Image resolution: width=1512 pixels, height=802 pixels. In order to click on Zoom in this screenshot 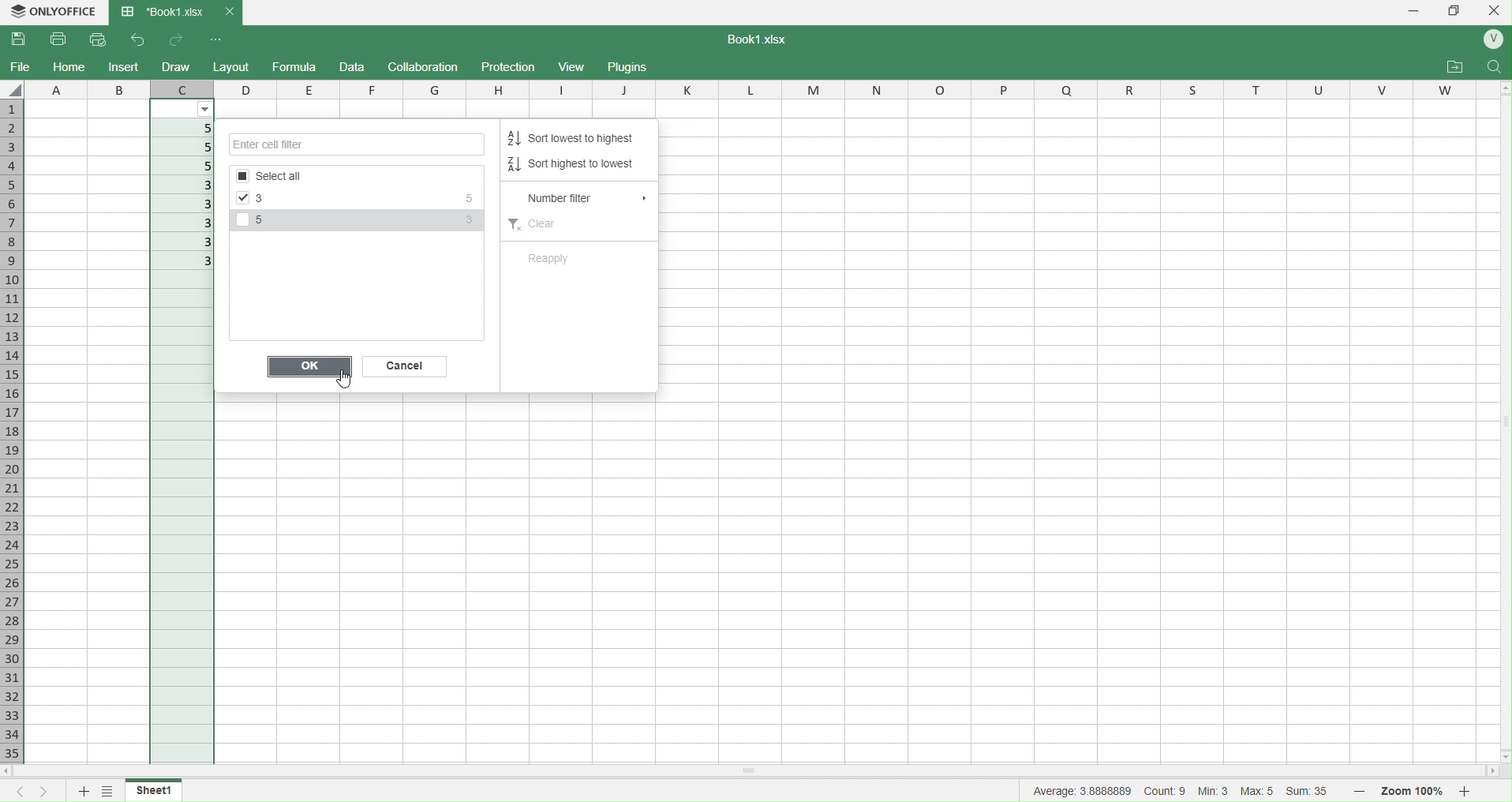, I will do `click(1414, 792)`.